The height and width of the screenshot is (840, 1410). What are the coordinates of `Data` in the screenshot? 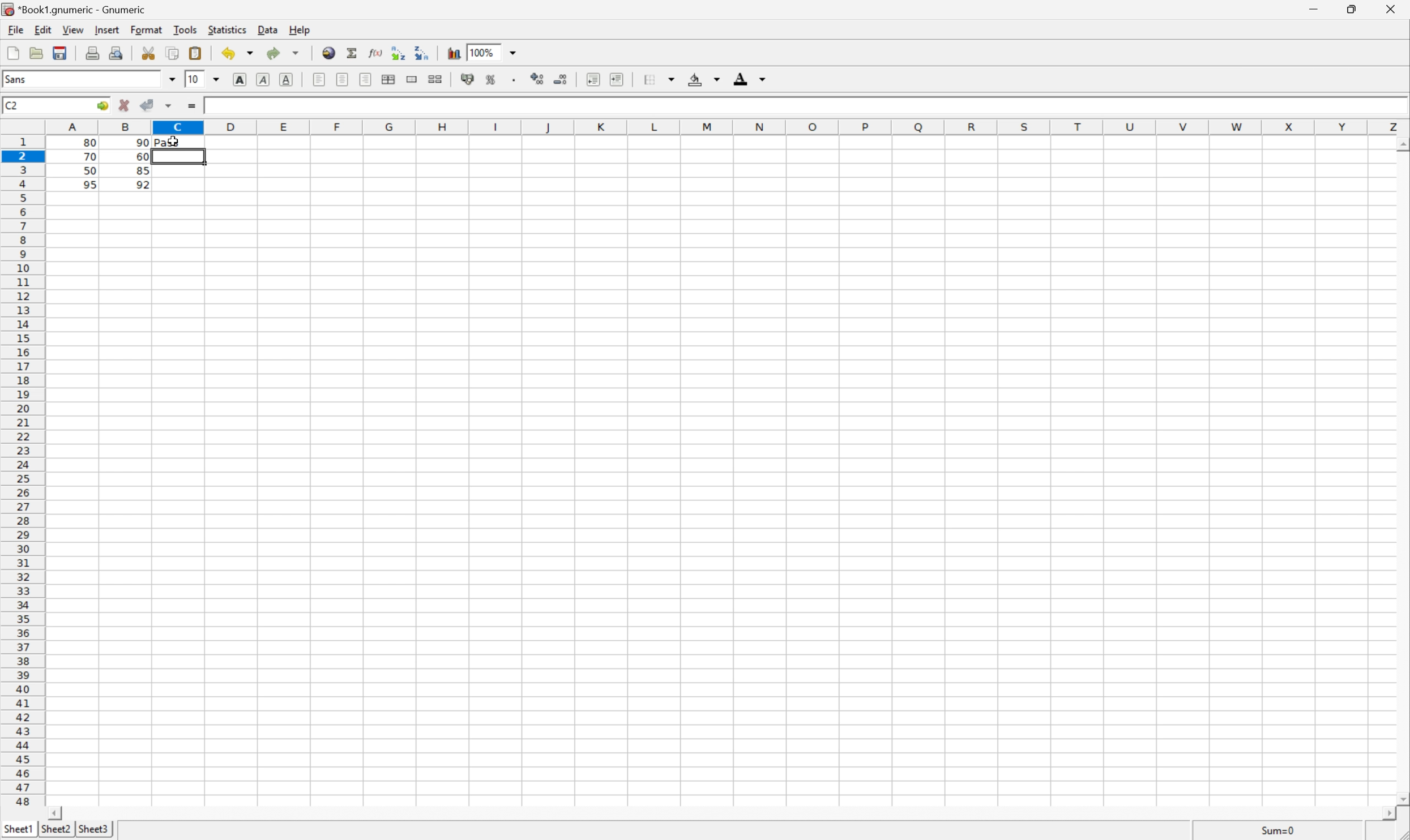 It's located at (268, 31).